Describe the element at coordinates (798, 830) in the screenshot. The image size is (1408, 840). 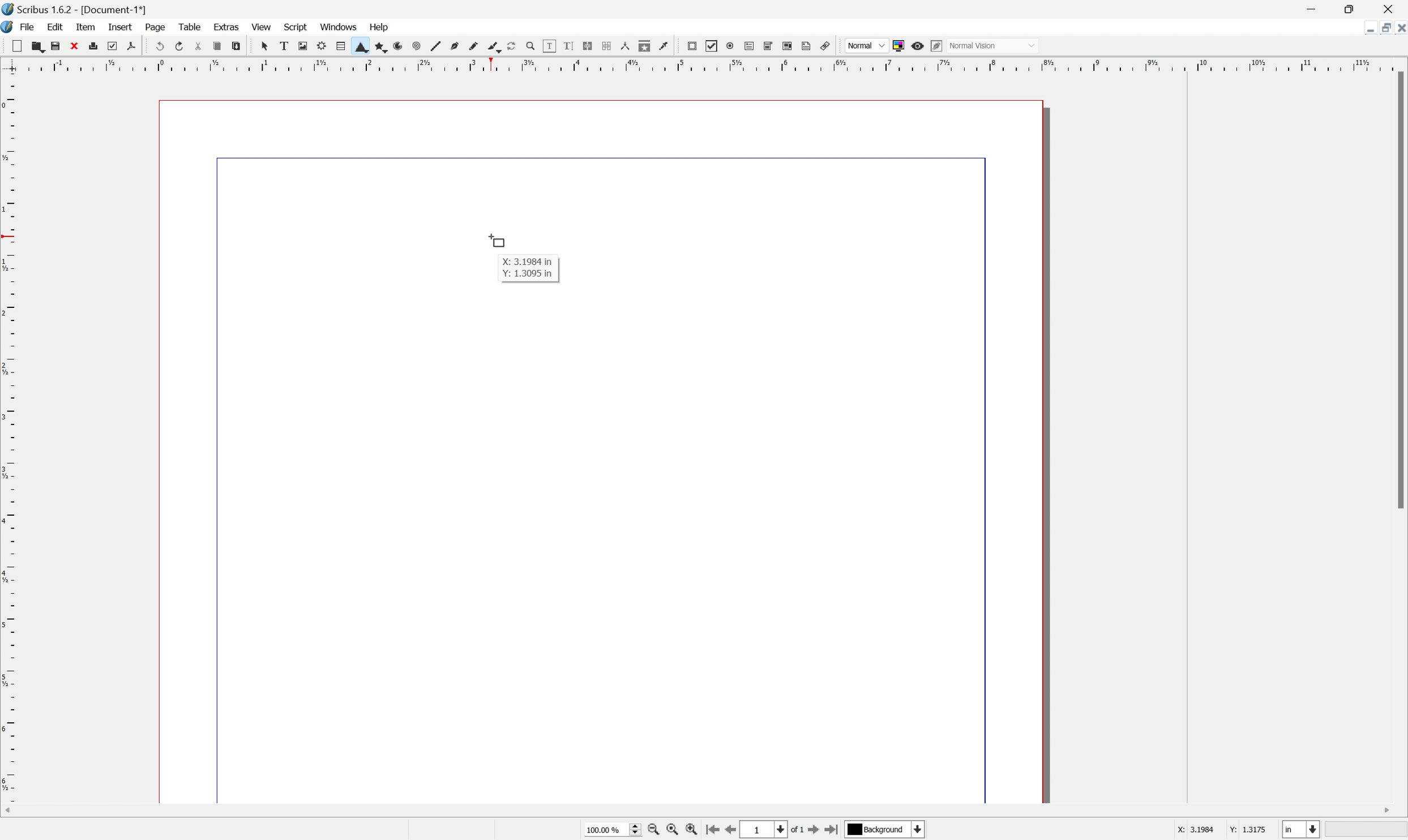
I see `of 1` at that location.